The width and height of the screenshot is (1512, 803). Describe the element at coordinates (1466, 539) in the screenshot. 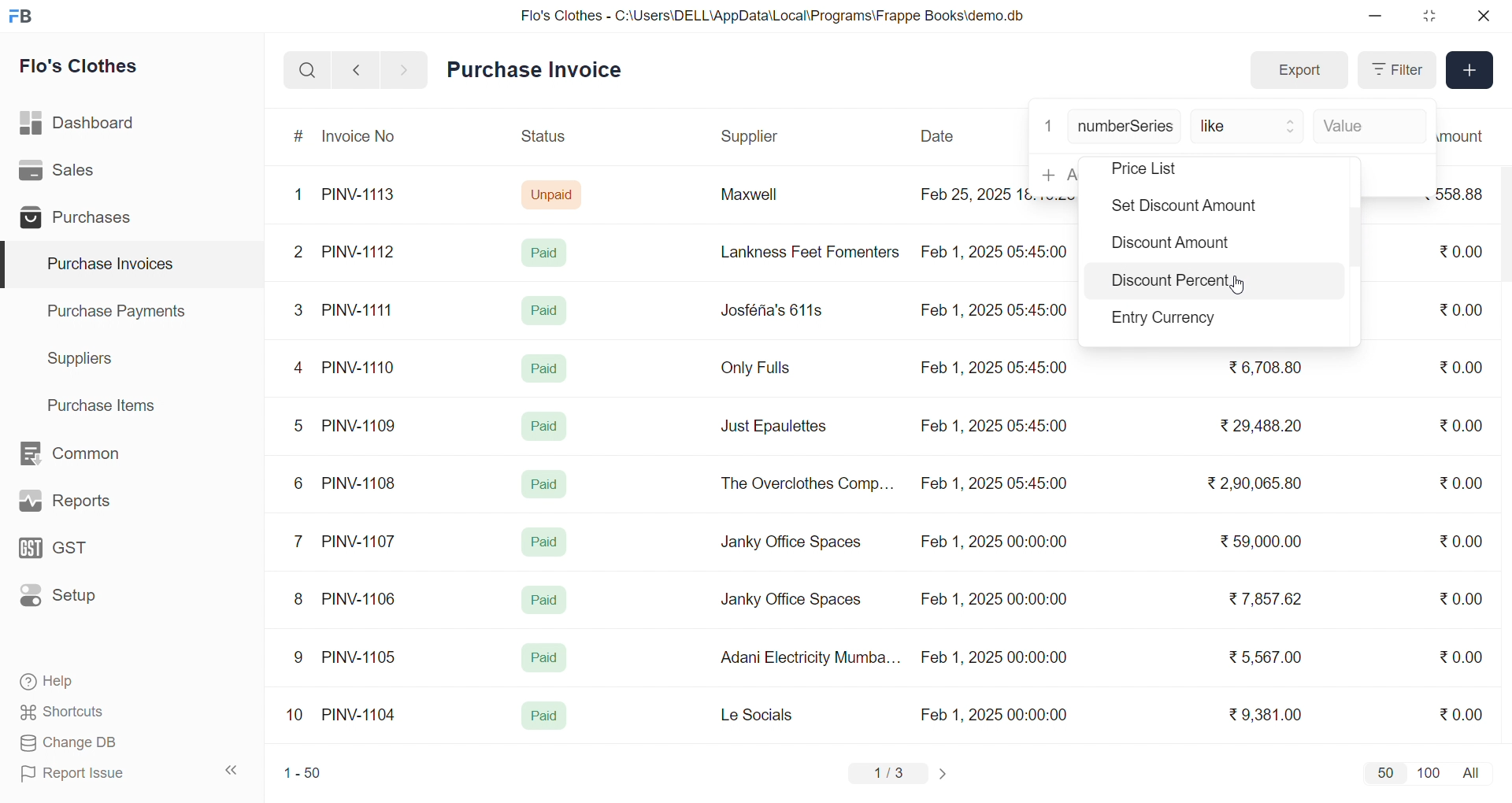

I see `₹0.00` at that location.